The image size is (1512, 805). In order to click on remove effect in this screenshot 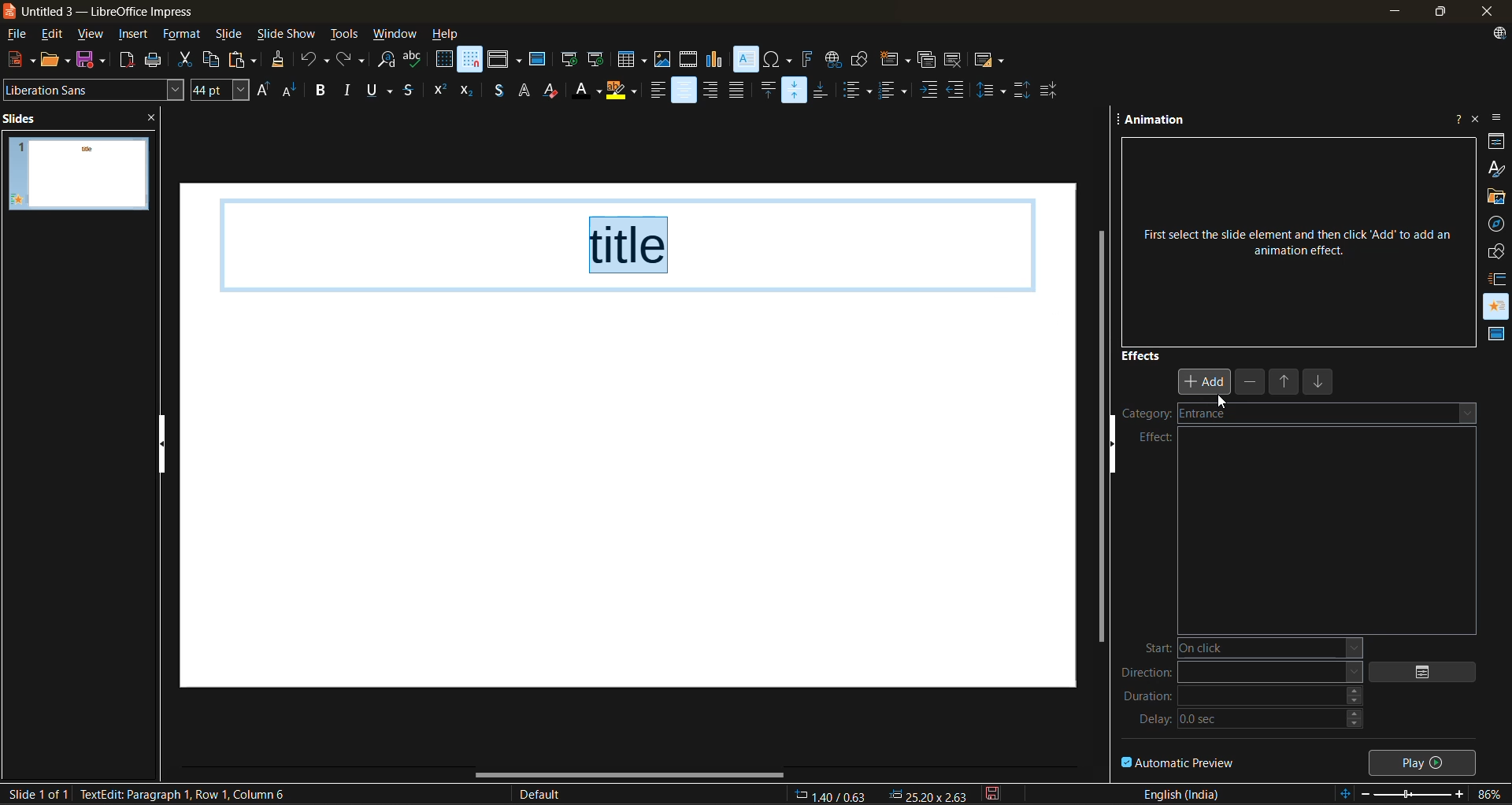, I will do `click(1251, 381)`.